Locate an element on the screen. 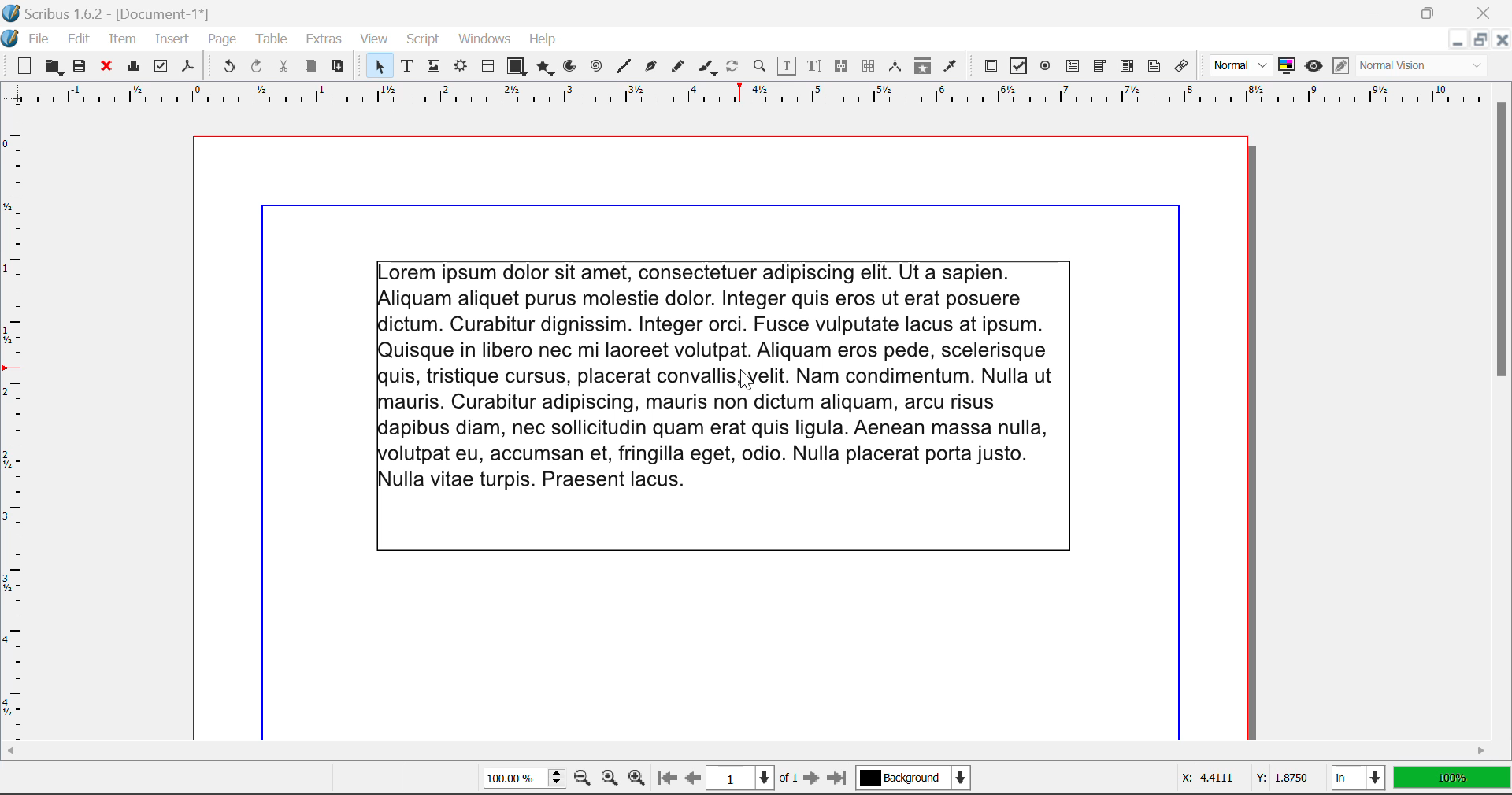 The image size is (1512, 795). Minimize is located at coordinates (1429, 11).